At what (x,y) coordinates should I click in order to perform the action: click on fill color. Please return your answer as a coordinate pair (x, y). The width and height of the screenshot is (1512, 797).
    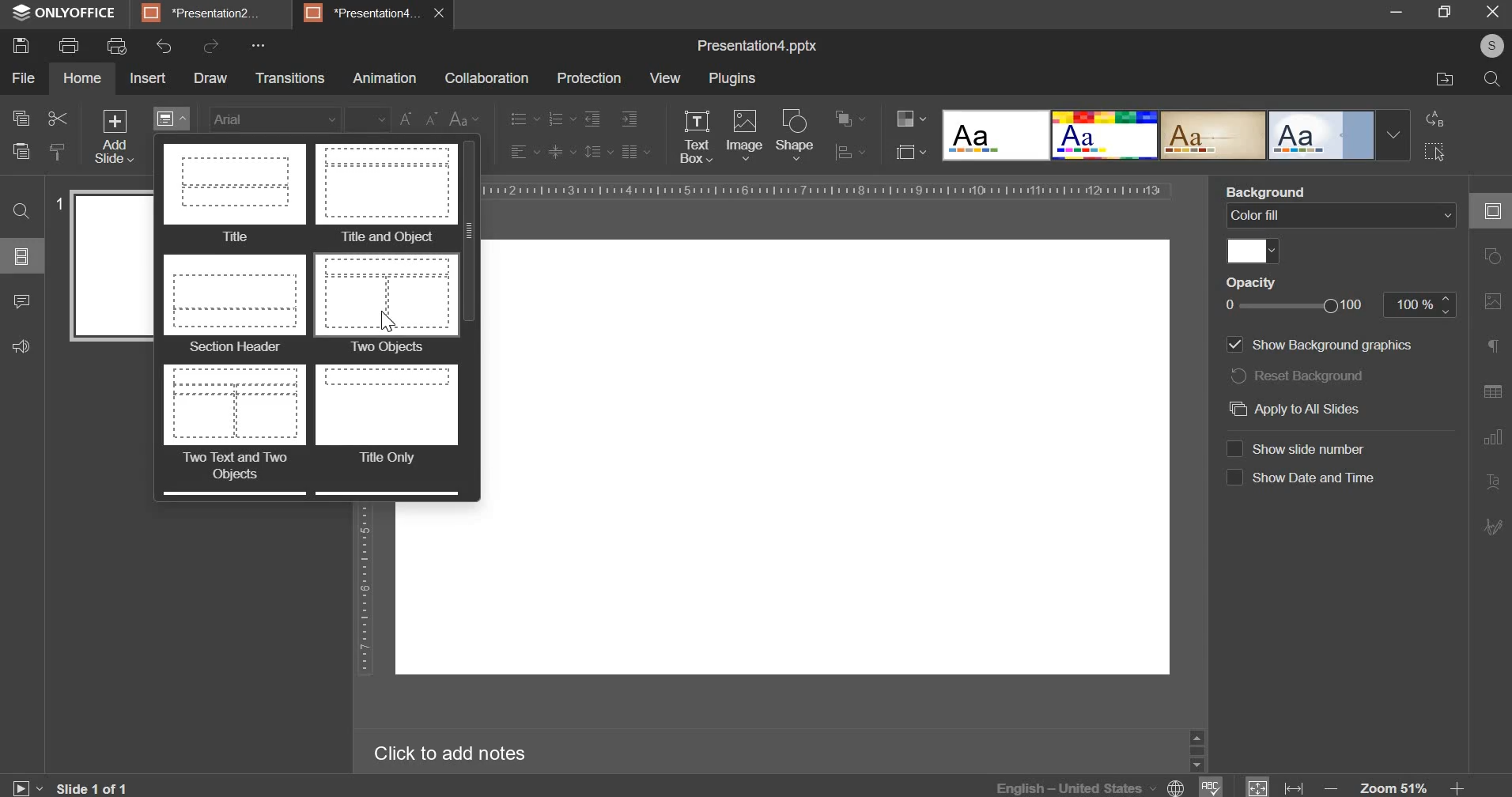
    Looking at the image, I should click on (1253, 251).